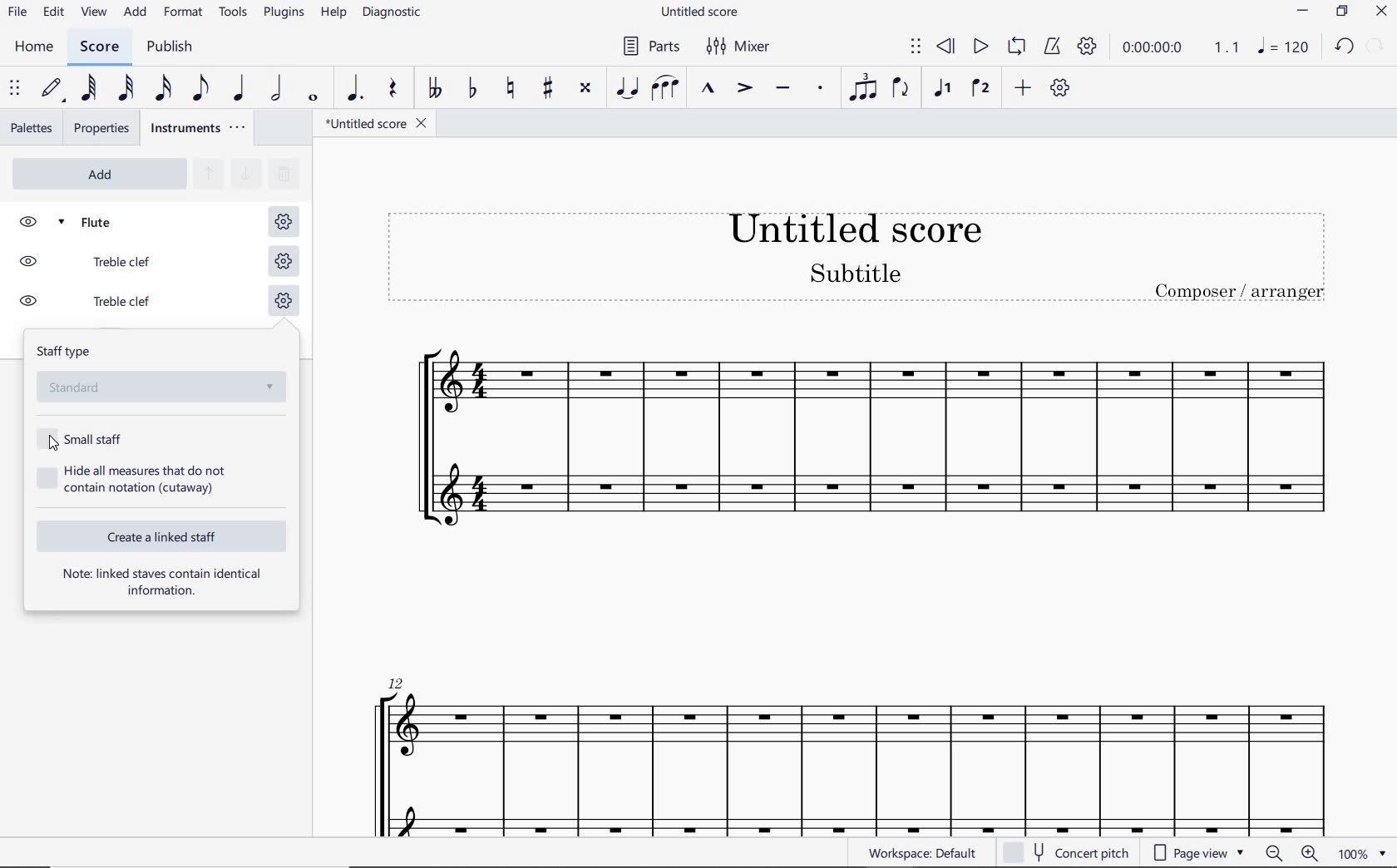  What do you see at coordinates (871, 491) in the screenshot?
I see `OSSIA STAFF ADDED` at bounding box center [871, 491].